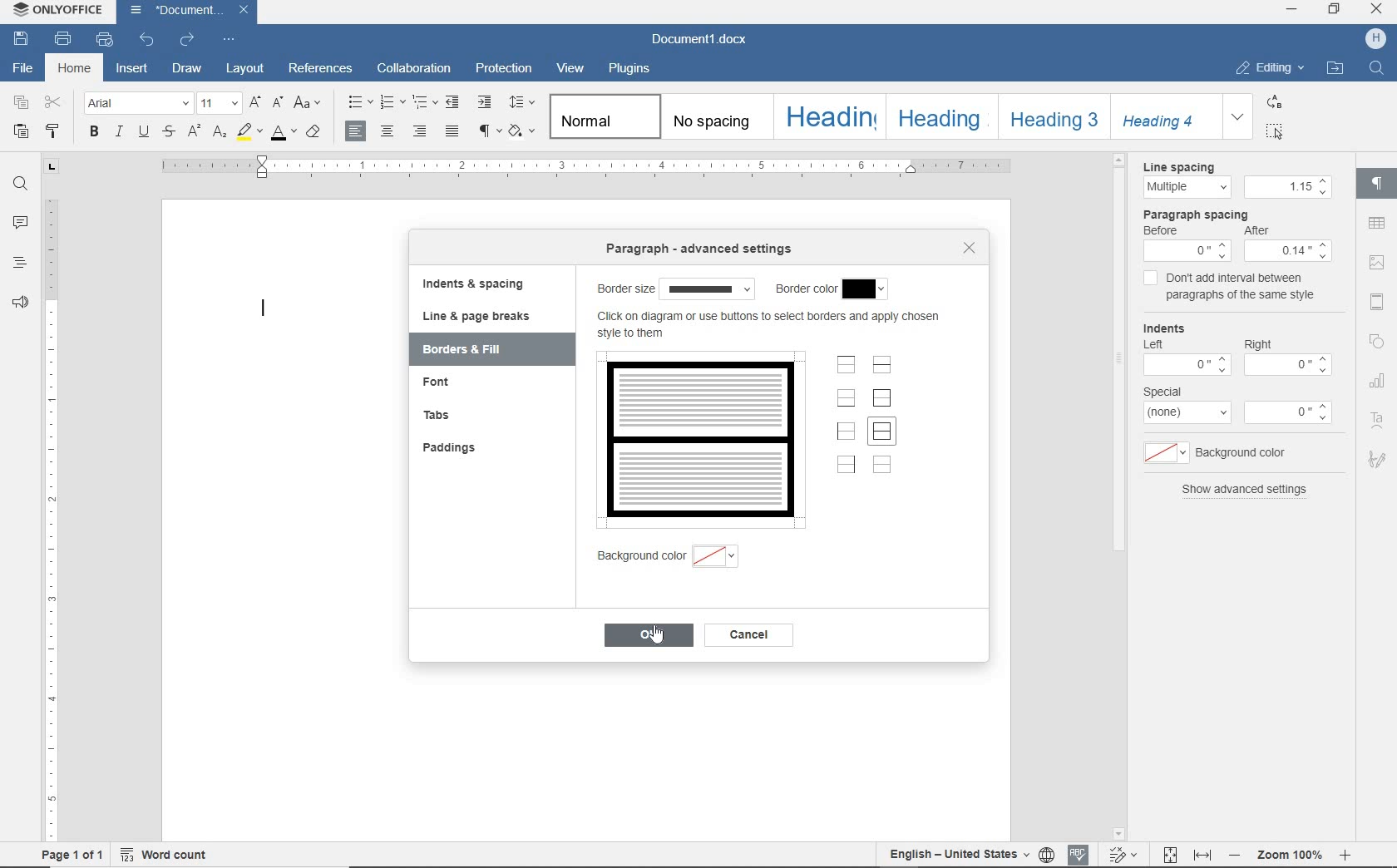 This screenshot has height=868, width=1397. What do you see at coordinates (120, 133) in the screenshot?
I see `italic` at bounding box center [120, 133].